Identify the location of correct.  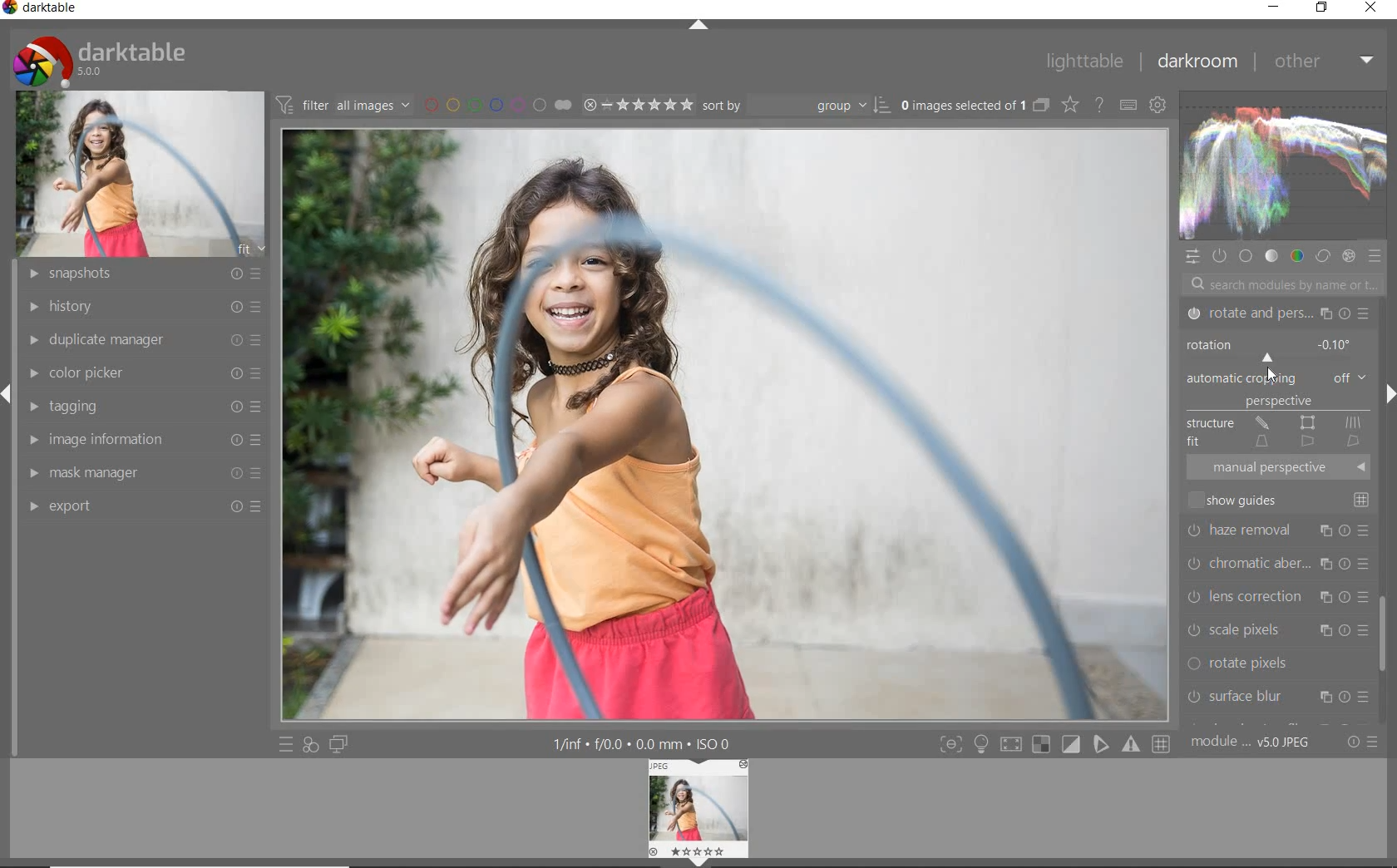
(1323, 258).